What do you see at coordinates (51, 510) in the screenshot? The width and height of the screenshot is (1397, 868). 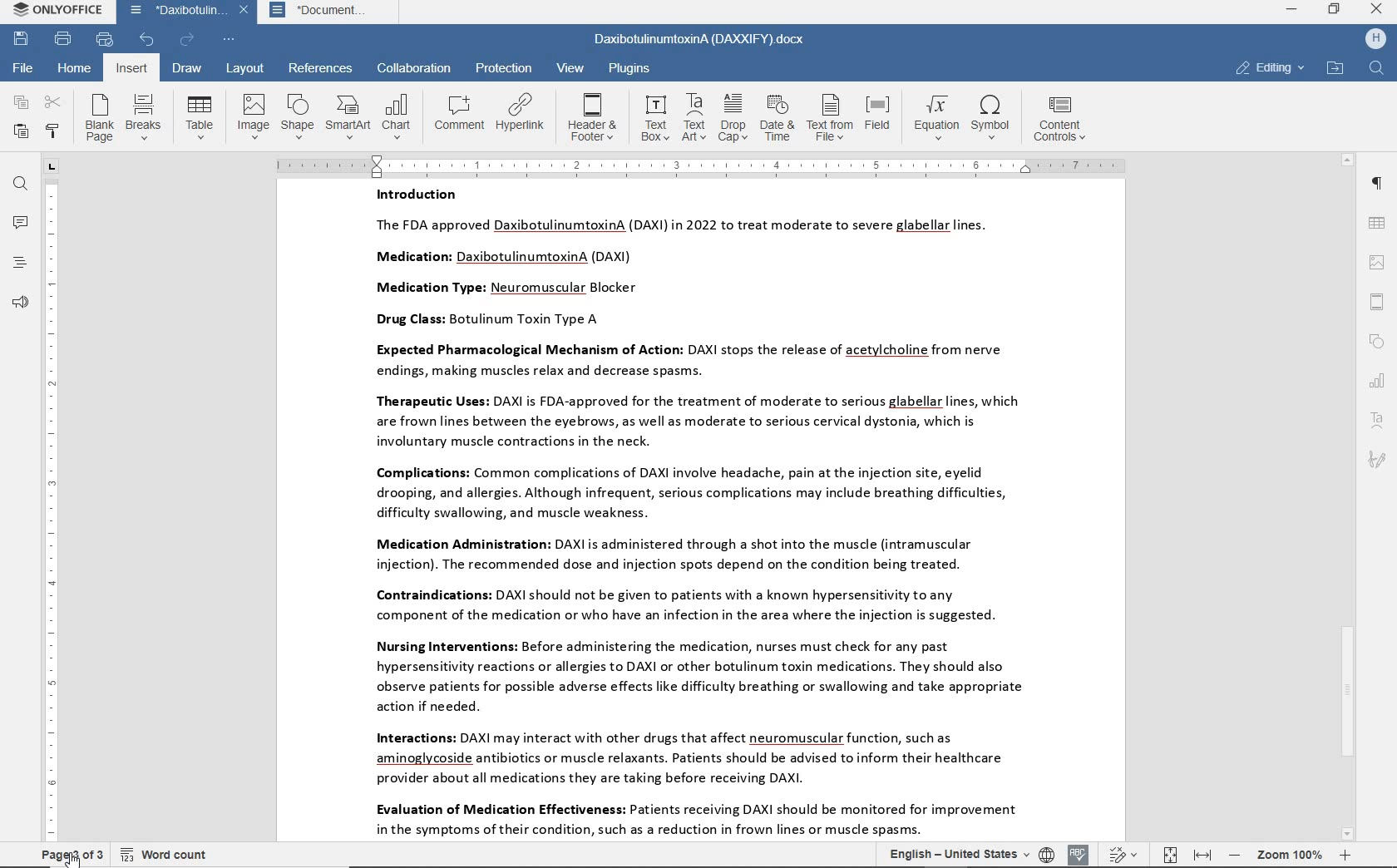 I see `ruler` at bounding box center [51, 510].